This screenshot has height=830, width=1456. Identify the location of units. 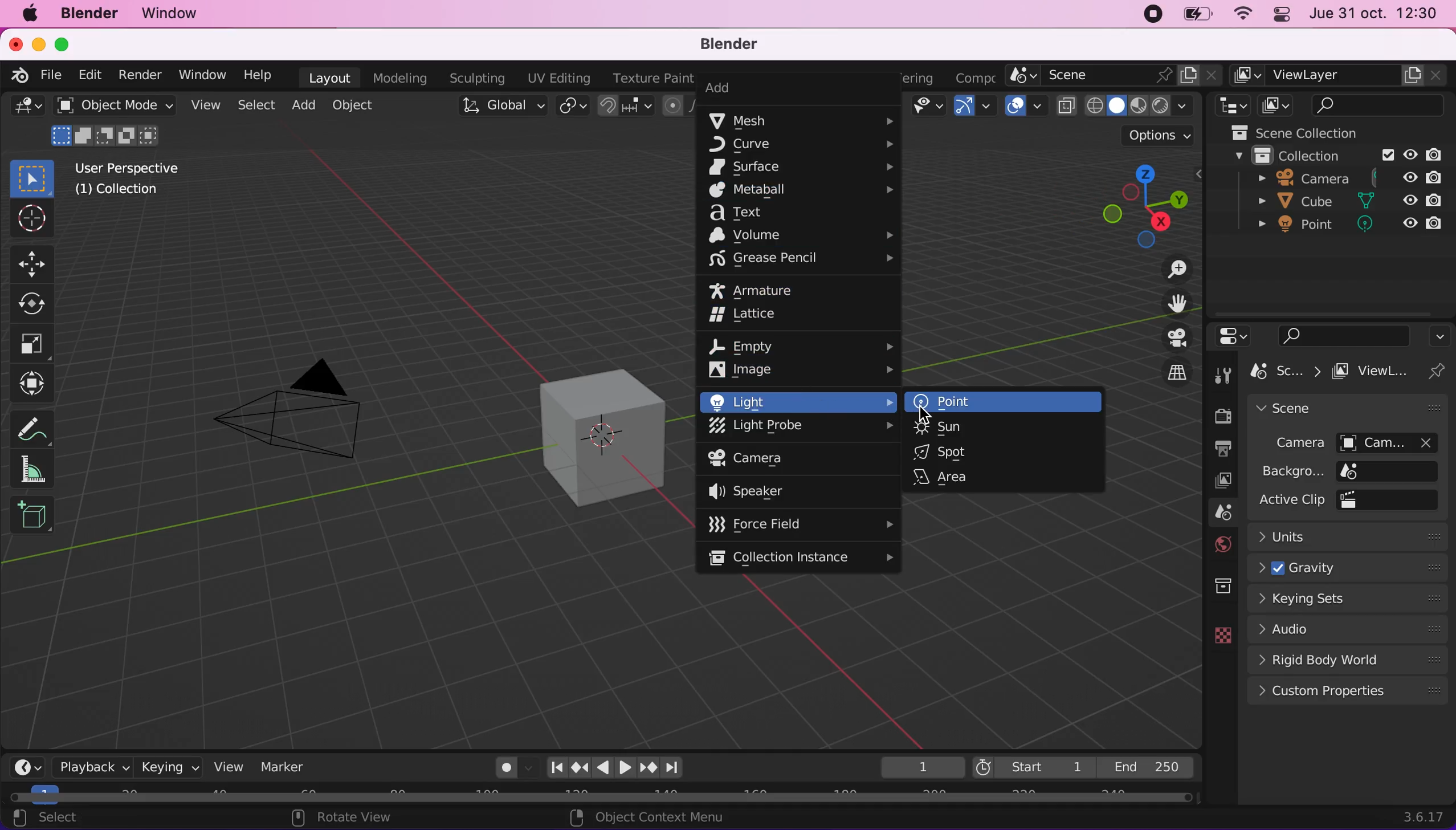
(1351, 539).